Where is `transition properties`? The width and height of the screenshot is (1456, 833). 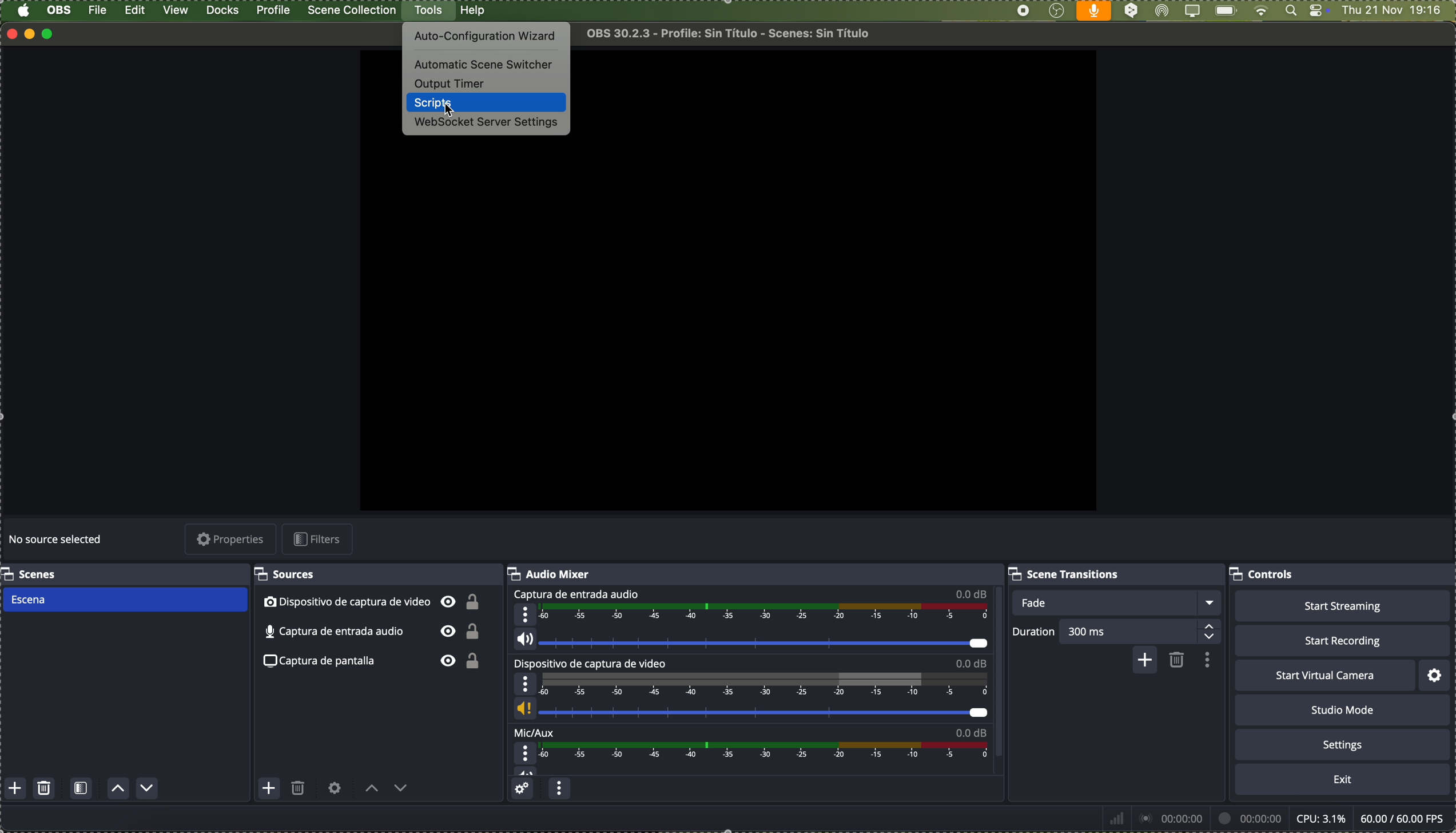
transition properties is located at coordinates (1206, 660).